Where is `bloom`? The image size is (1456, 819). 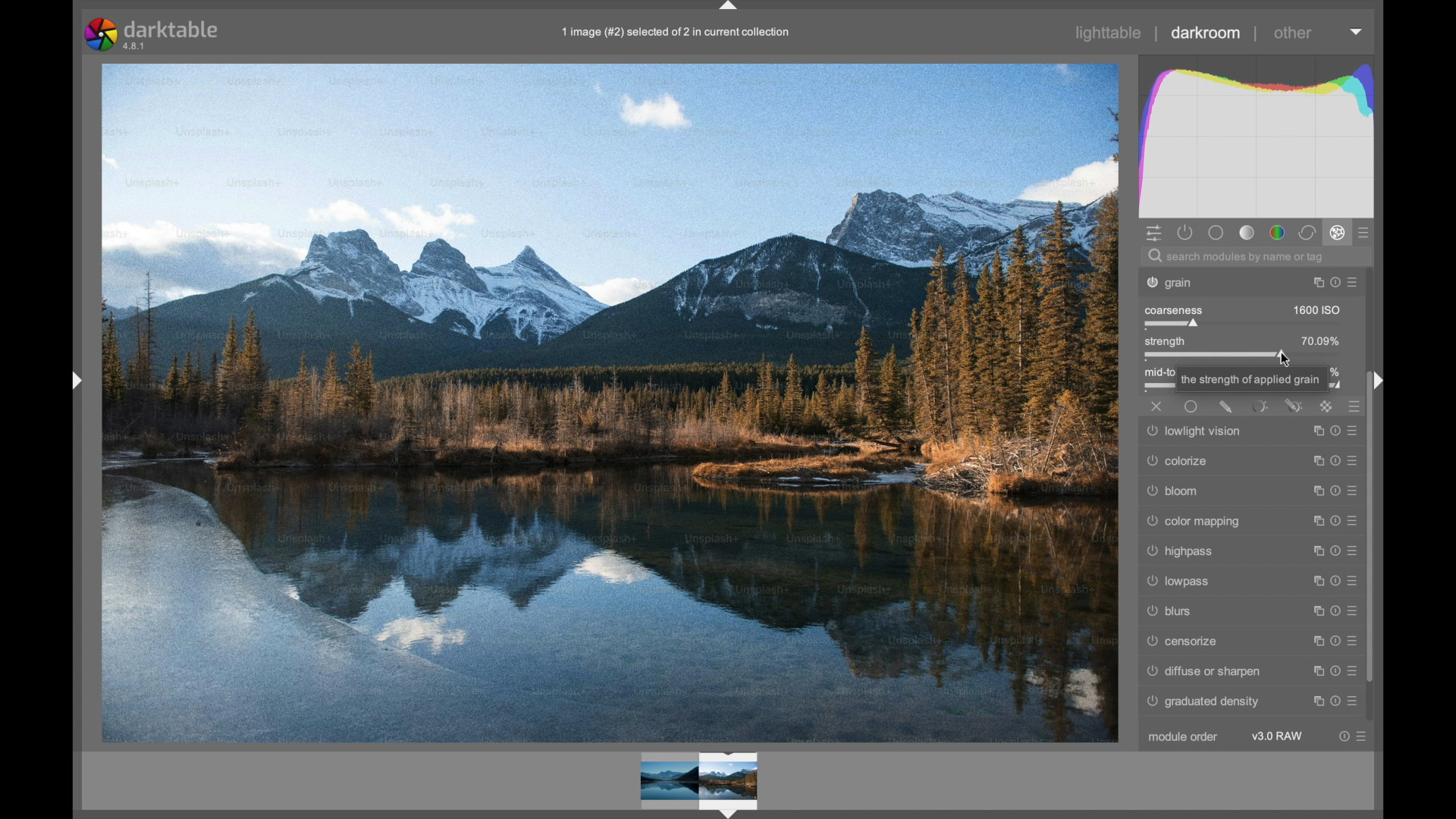
bloom is located at coordinates (1180, 491).